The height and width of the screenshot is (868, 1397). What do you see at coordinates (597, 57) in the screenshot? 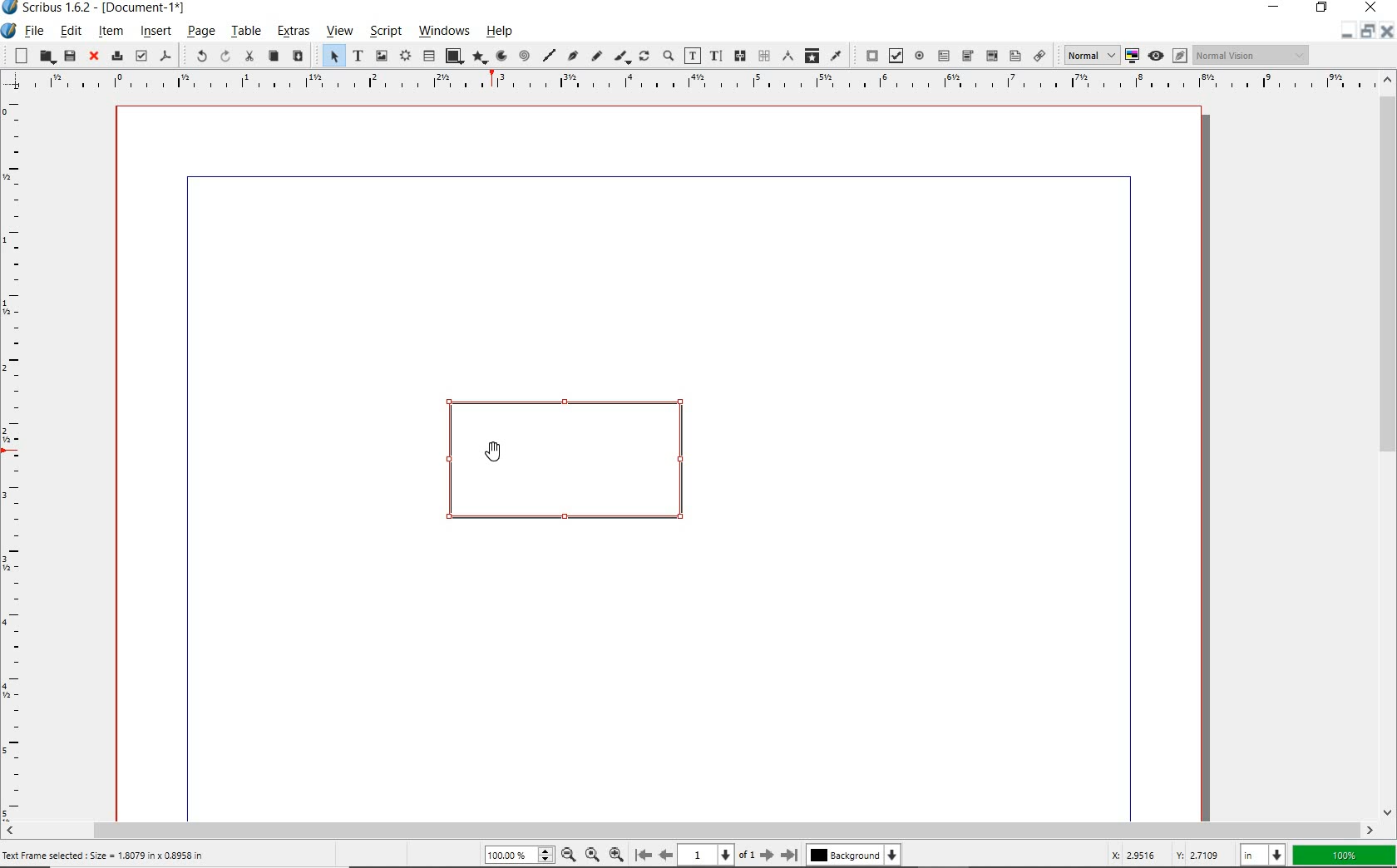
I see `freehand line` at bounding box center [597, 57].